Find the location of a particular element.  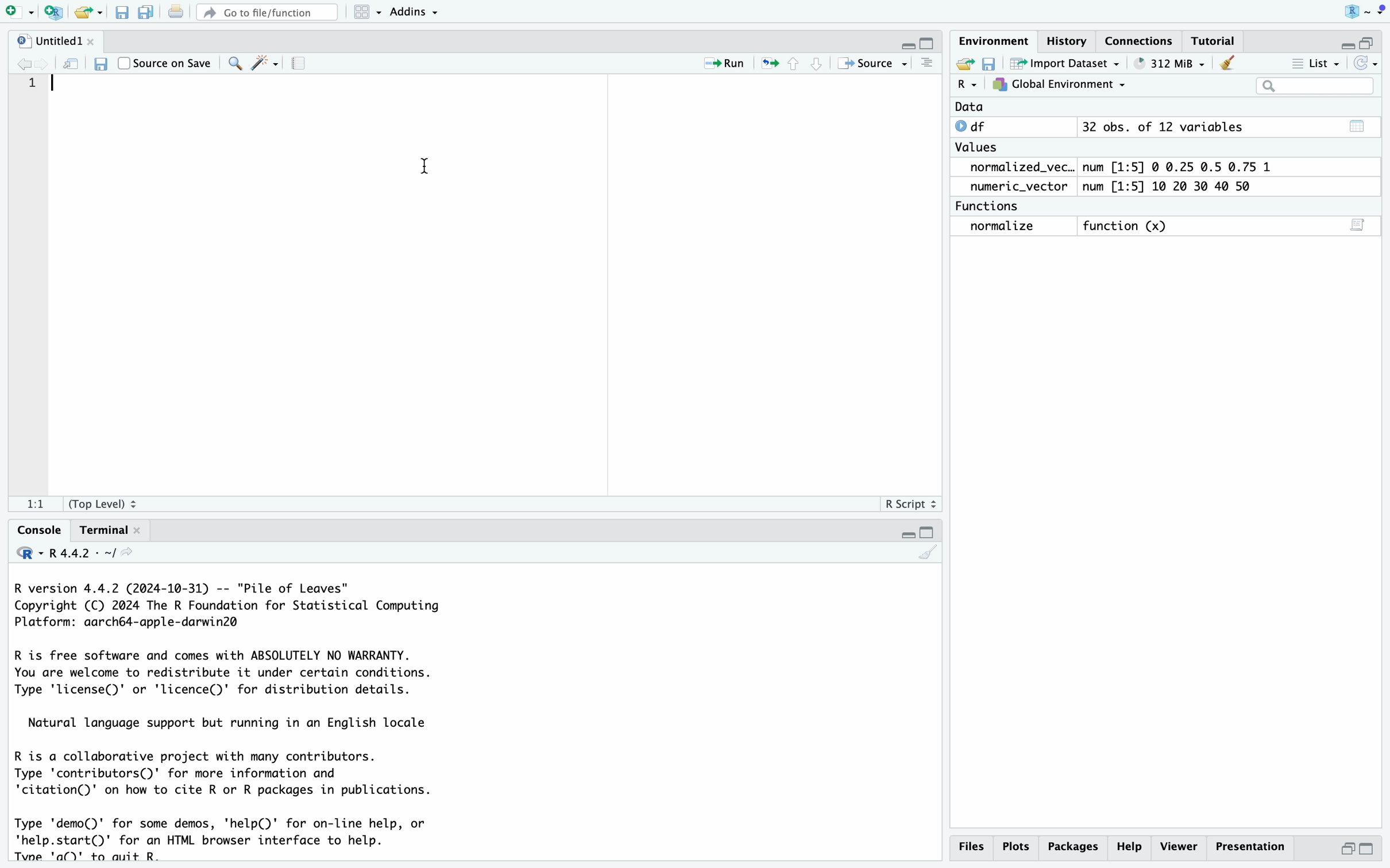

R Script 2 is located at coordinates (910, 502).